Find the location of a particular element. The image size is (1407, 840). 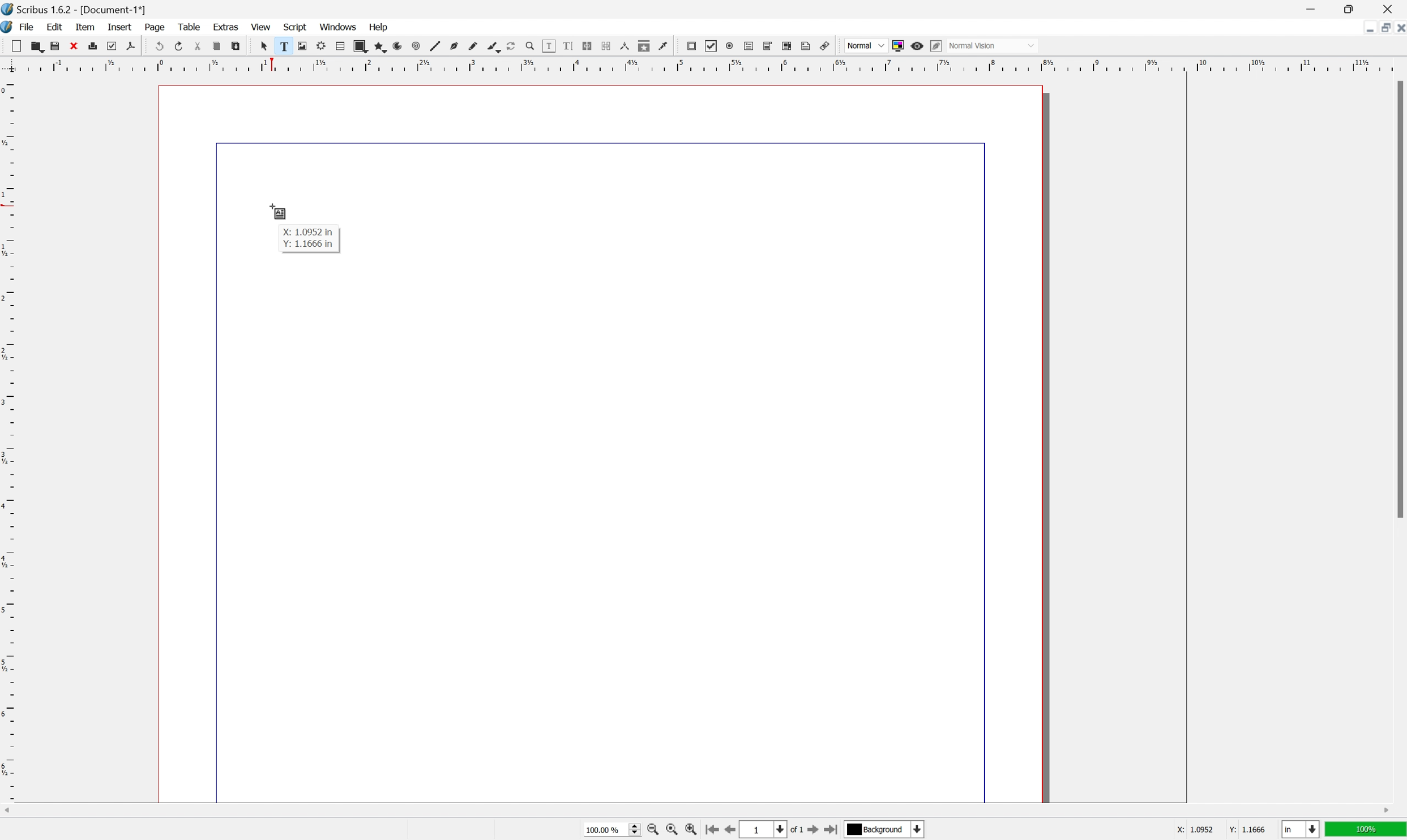

page is located at coordinates (156, 27).